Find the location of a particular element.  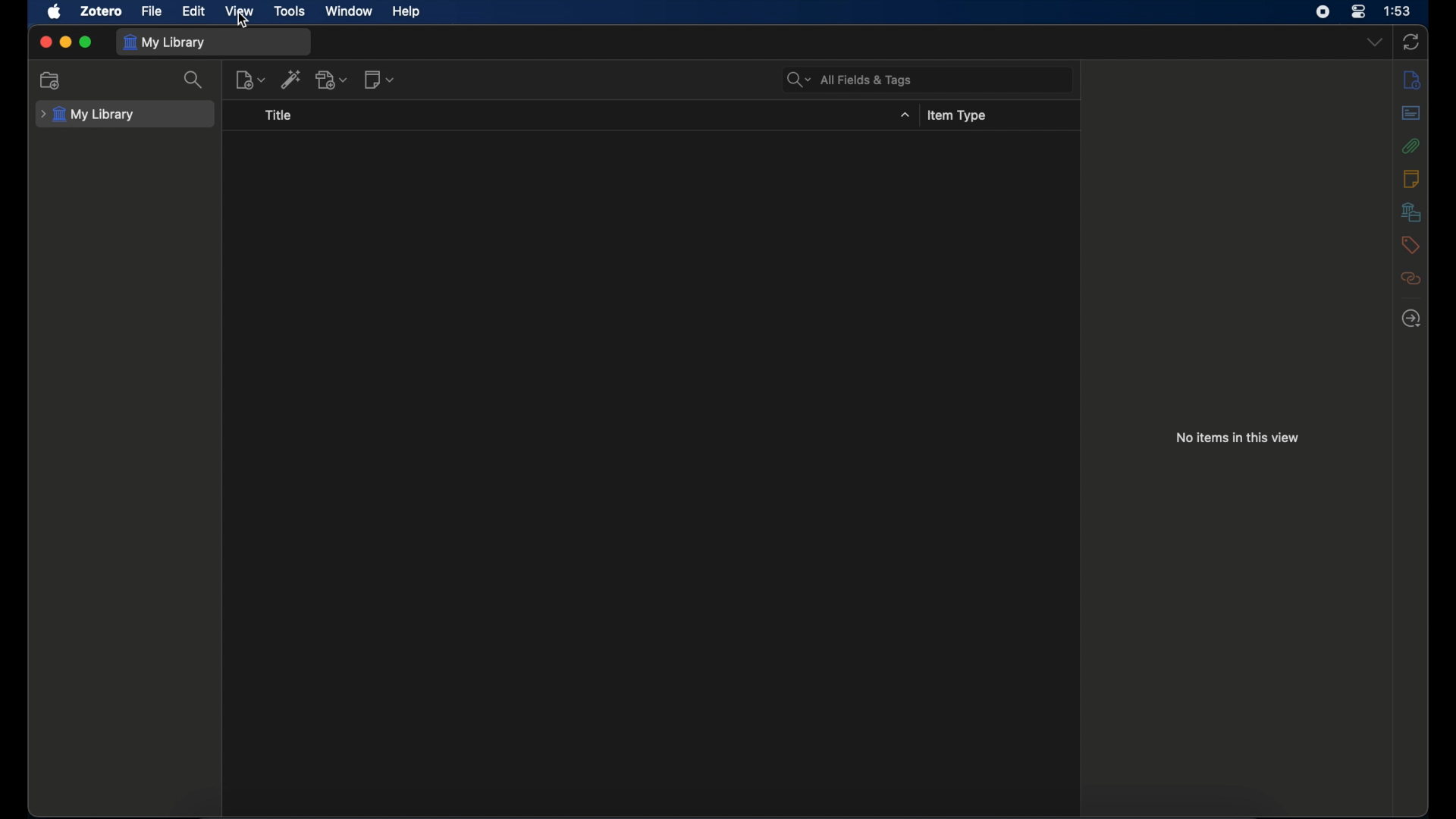

minimize is located at coordinates (65, 42).